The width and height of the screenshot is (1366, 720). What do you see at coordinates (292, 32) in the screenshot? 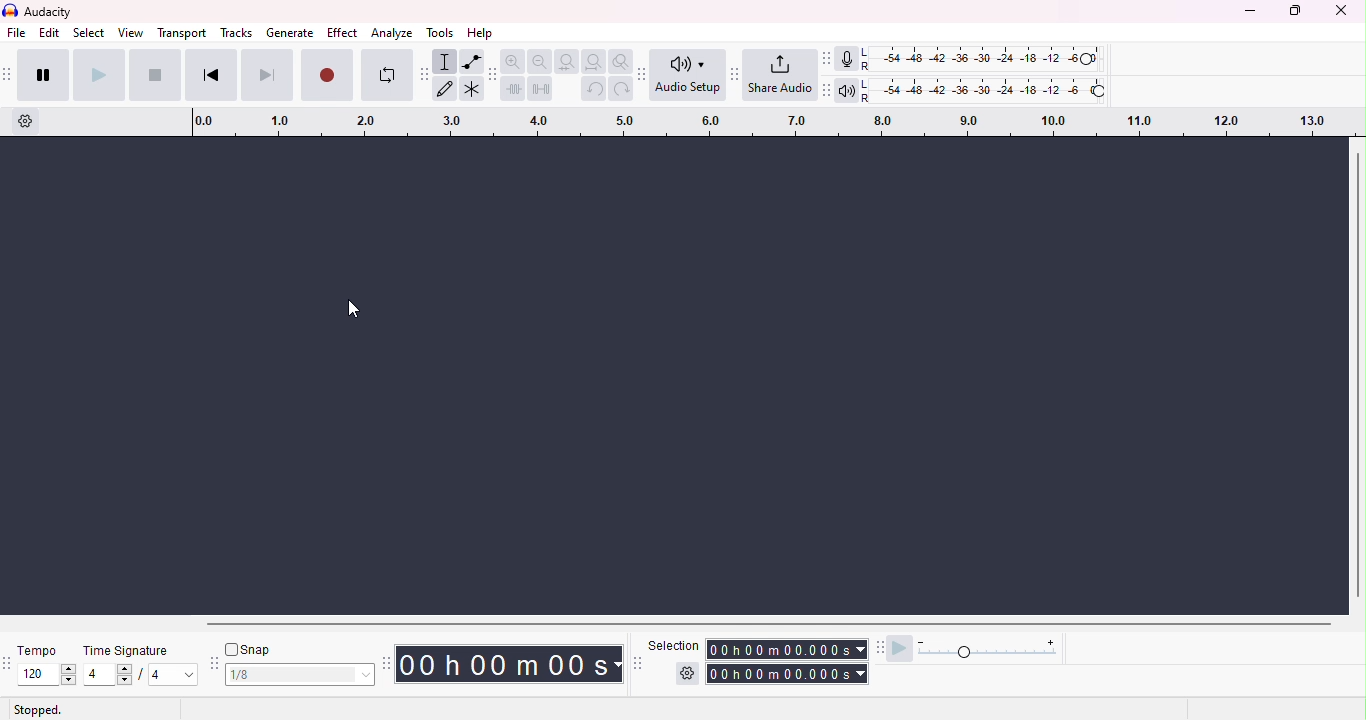
I see `generate` at bounding box center [292, 32].